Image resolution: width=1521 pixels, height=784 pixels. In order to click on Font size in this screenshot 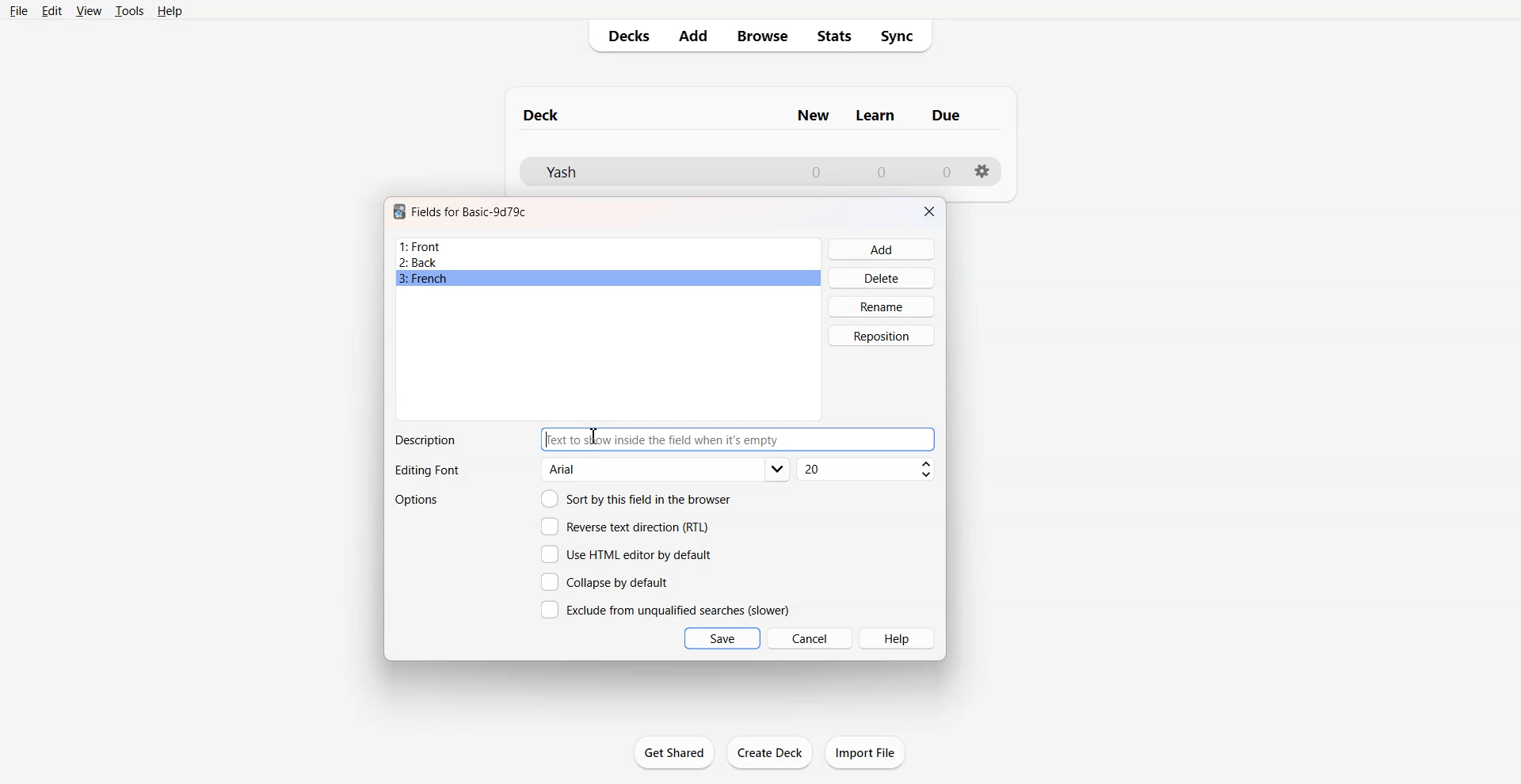, I will do `click(867, 470)`.